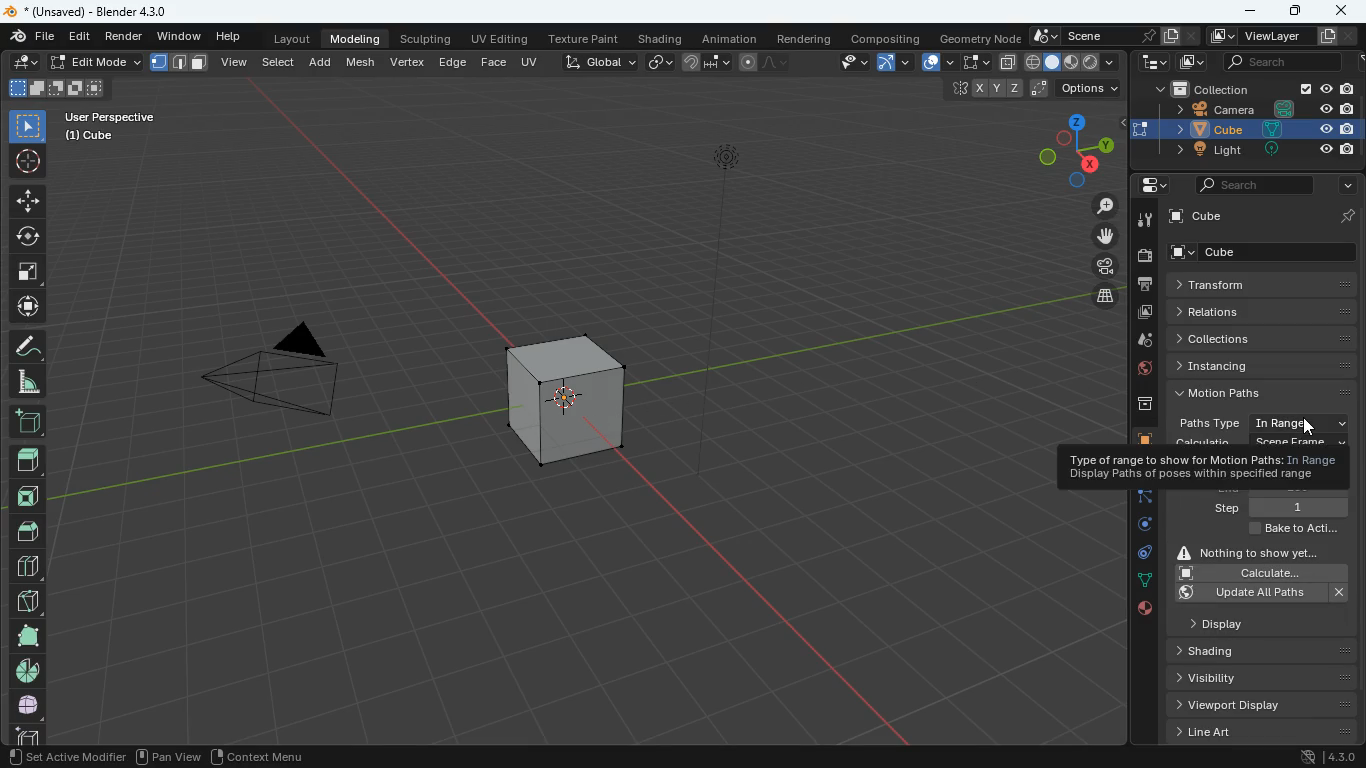 The image size is (1366, 768). What do you see at coordinates (600, 61) in the screenshot?
I see `global` at bounding box center [600, 61].